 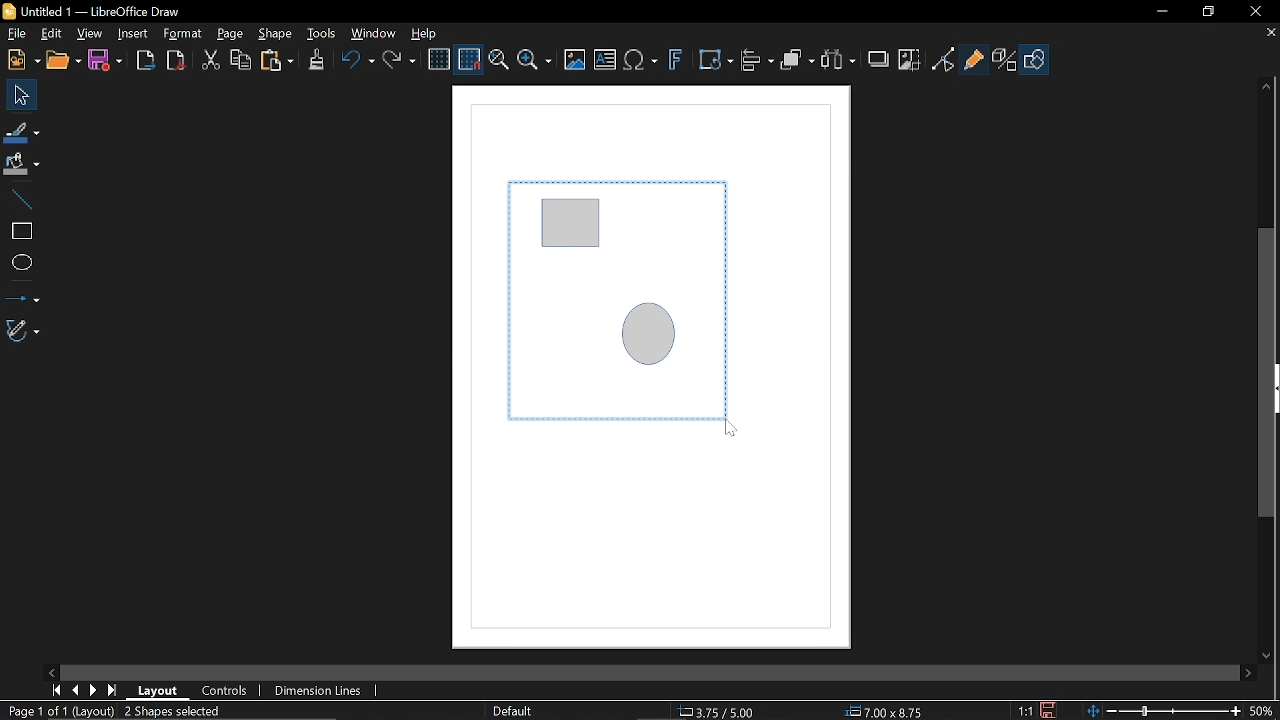 What do you see at coordinates (78, 690) in the screenshot?
I see `Previous page` at bounding box center [78, 690].